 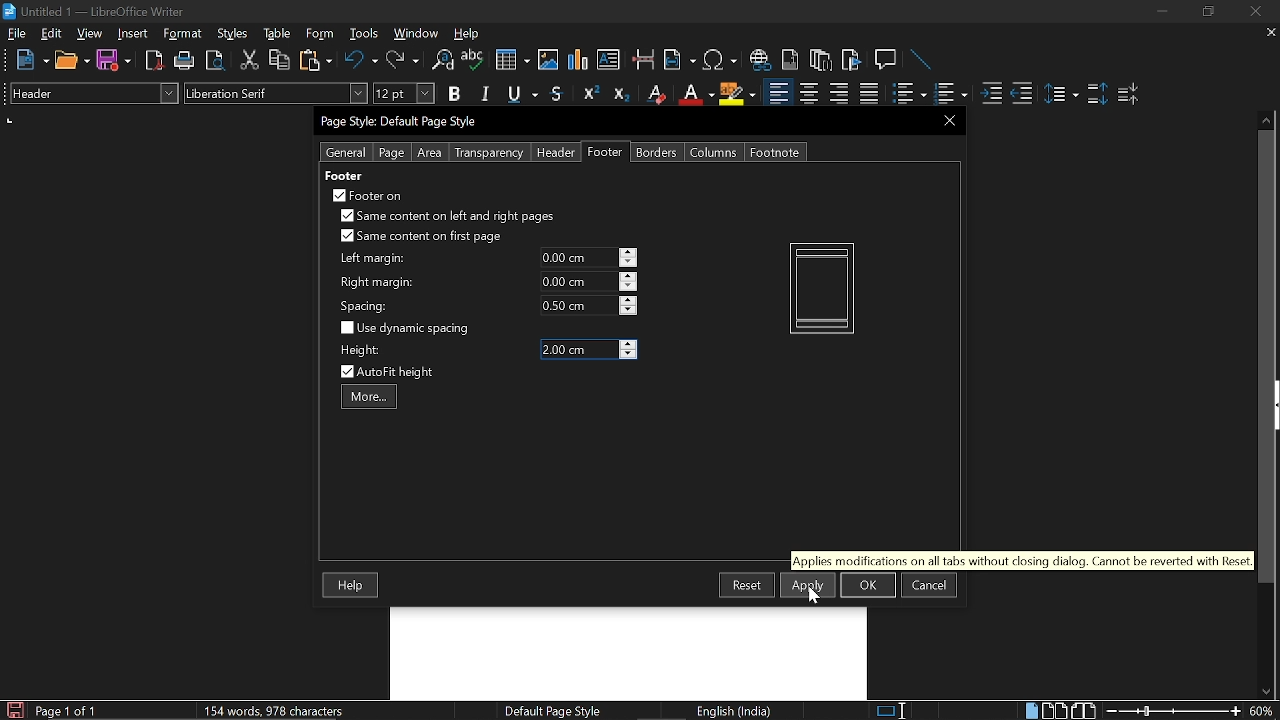 I want to click on Word count, so click(x=295, y=710).